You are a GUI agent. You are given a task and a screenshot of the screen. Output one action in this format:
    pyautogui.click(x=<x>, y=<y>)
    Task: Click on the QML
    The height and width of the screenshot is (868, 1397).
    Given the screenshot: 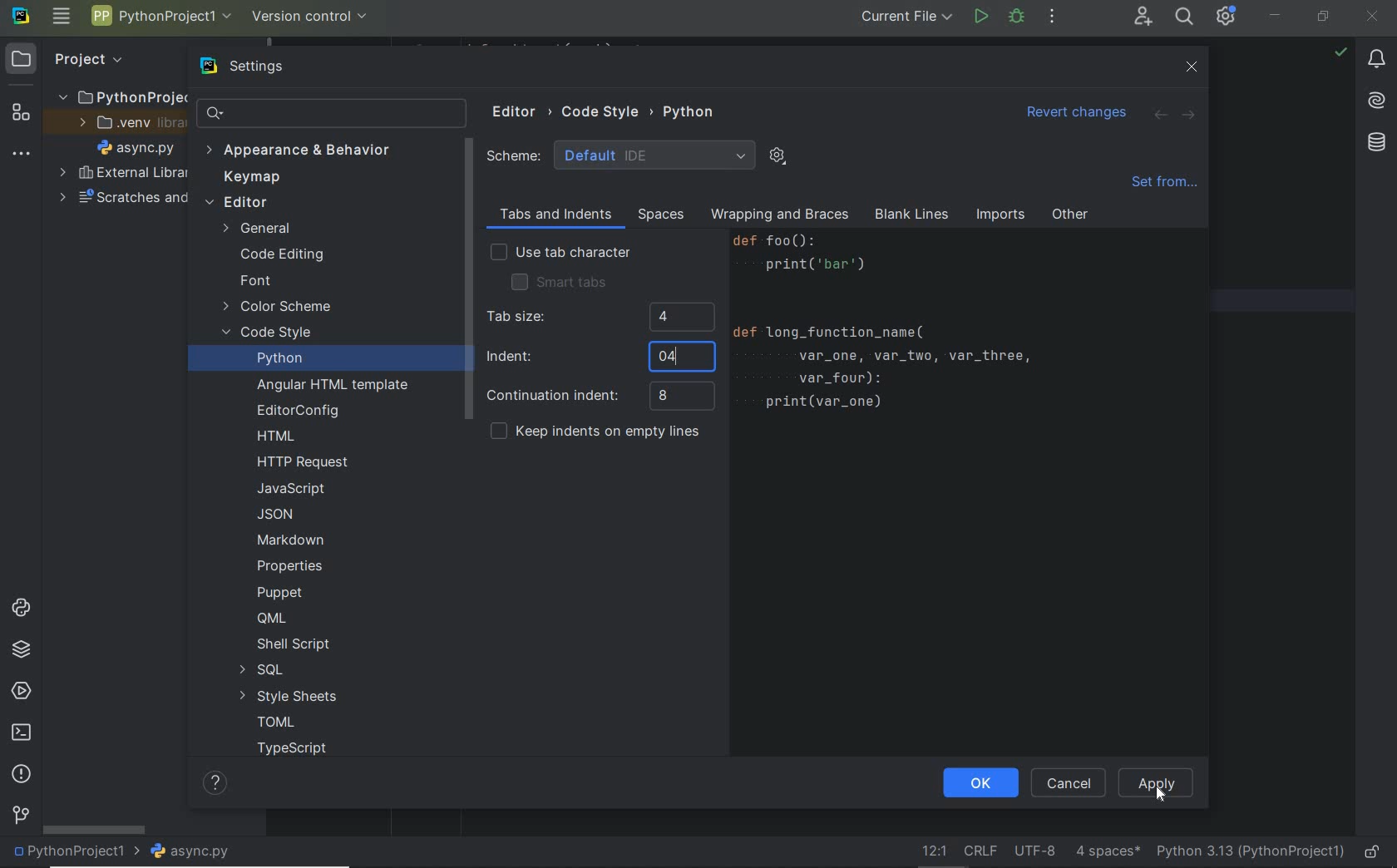 What is the action you would take?
    pyautogui.click(x=270, y=618)
    